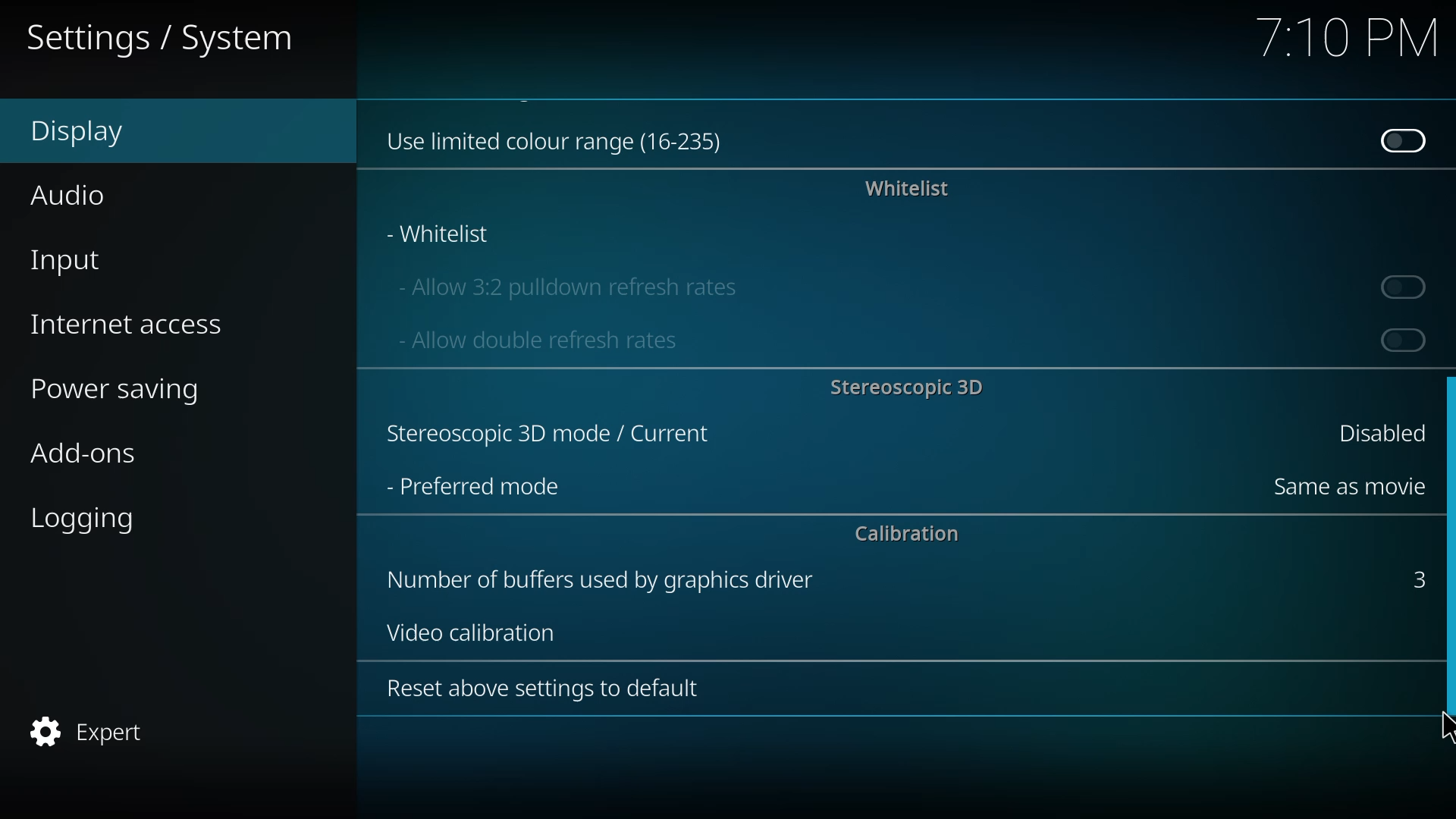 This screenshot has height=819, width=1456. Describe the element at coordinates (1445, 723) in the screenshot. I see `cursor` at that location.